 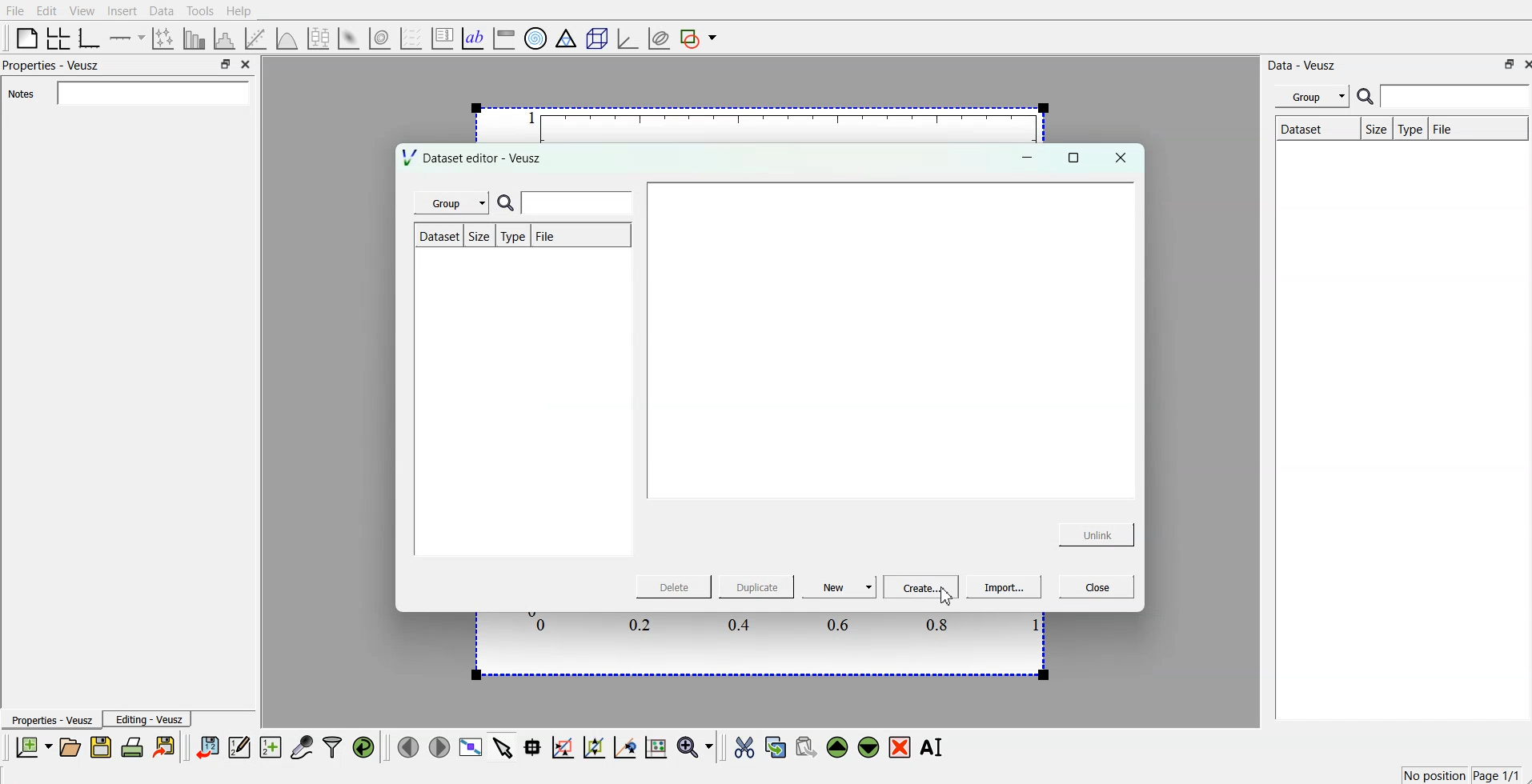 What do you see at coordinates (1303, 65) in the screenshot?
I see `Data - Veusz` at bounding box center [1303, 65].